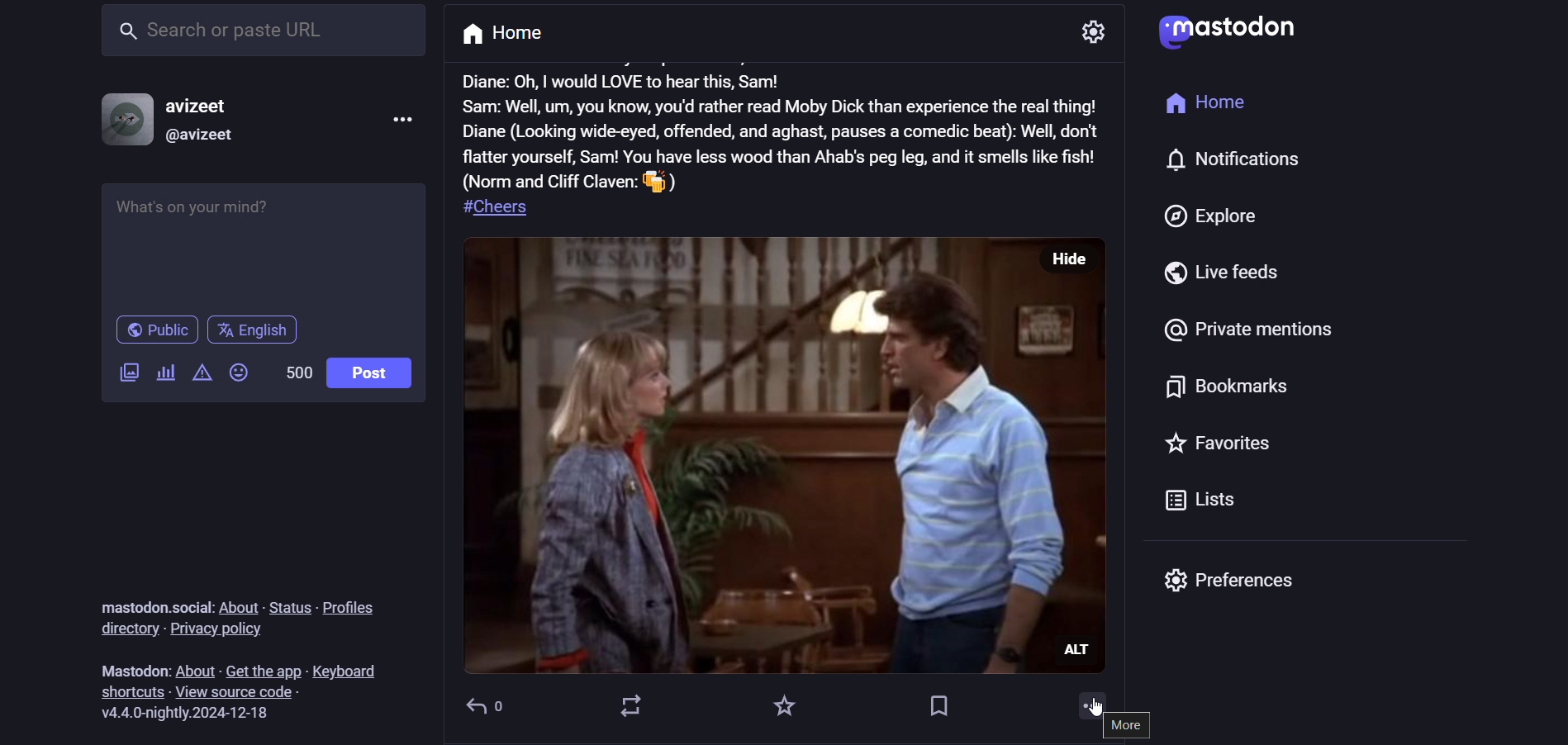  I want to click on shortcuts, so click(132, 690).